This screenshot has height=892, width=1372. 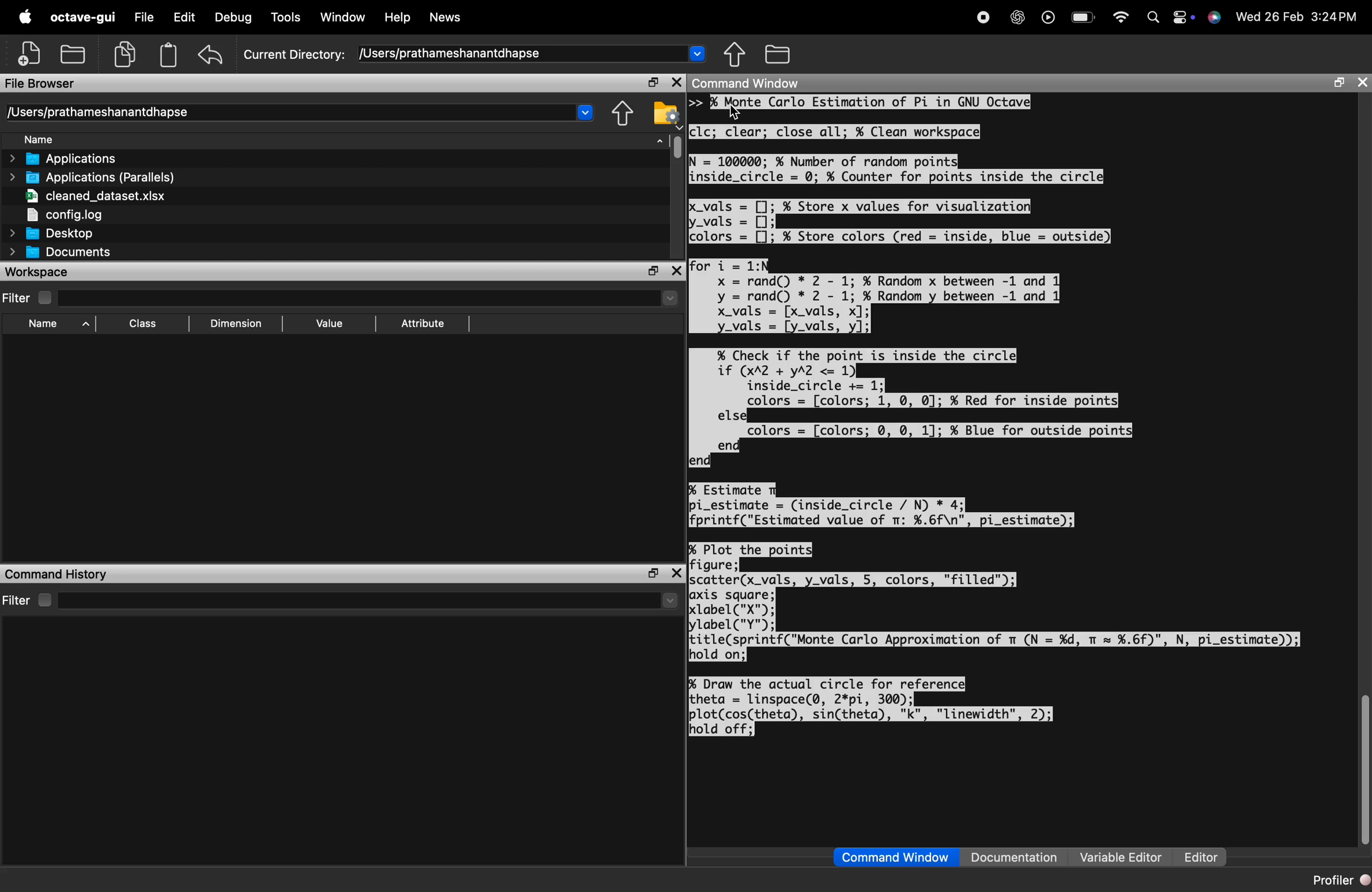 What do you see at coordinates (353, 296) in the screenshot?
I see `search box` at bounding box center [353, 296].